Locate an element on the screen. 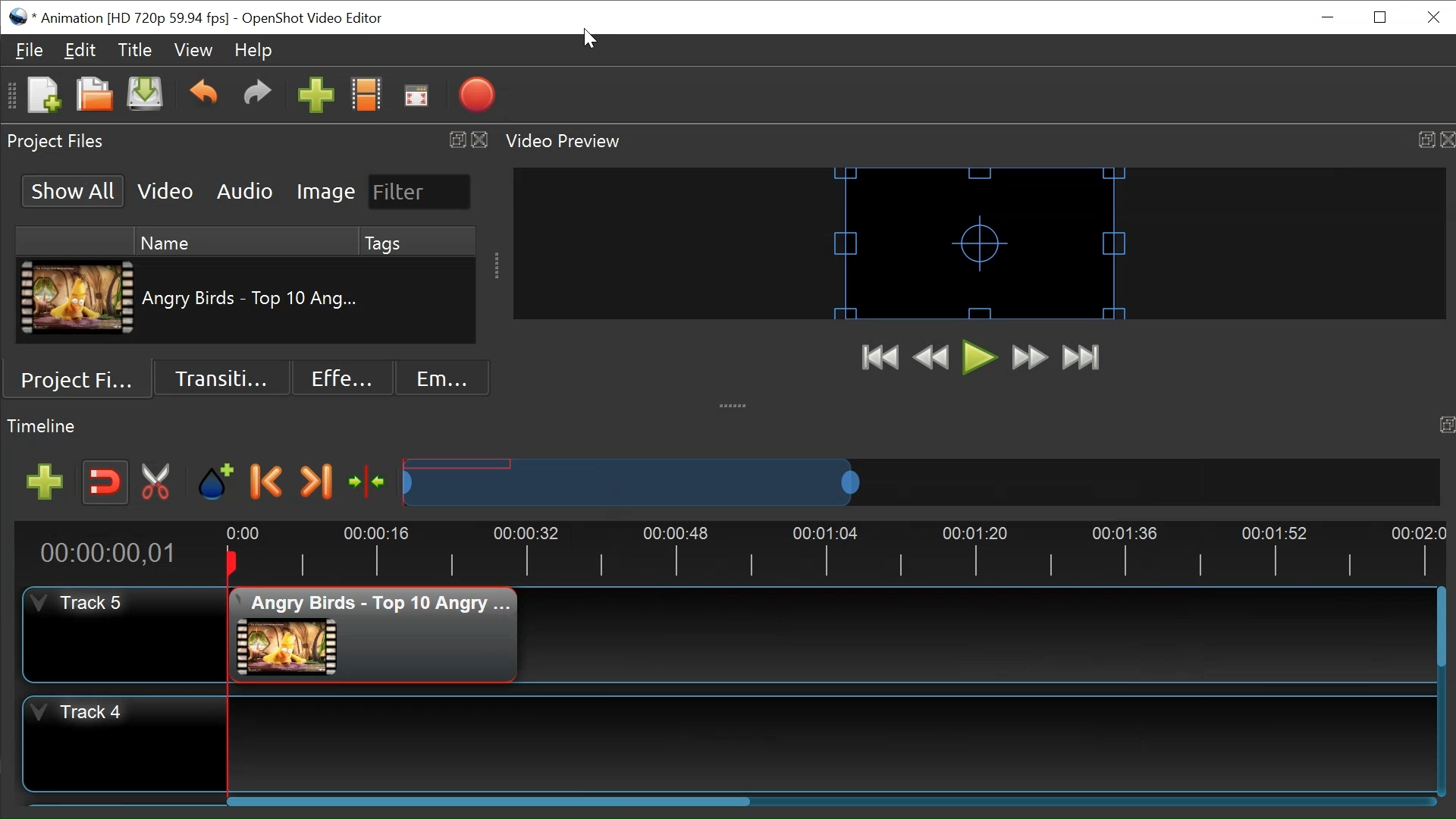  Vertical Scroll bar is located at coordinates (1443, 627).